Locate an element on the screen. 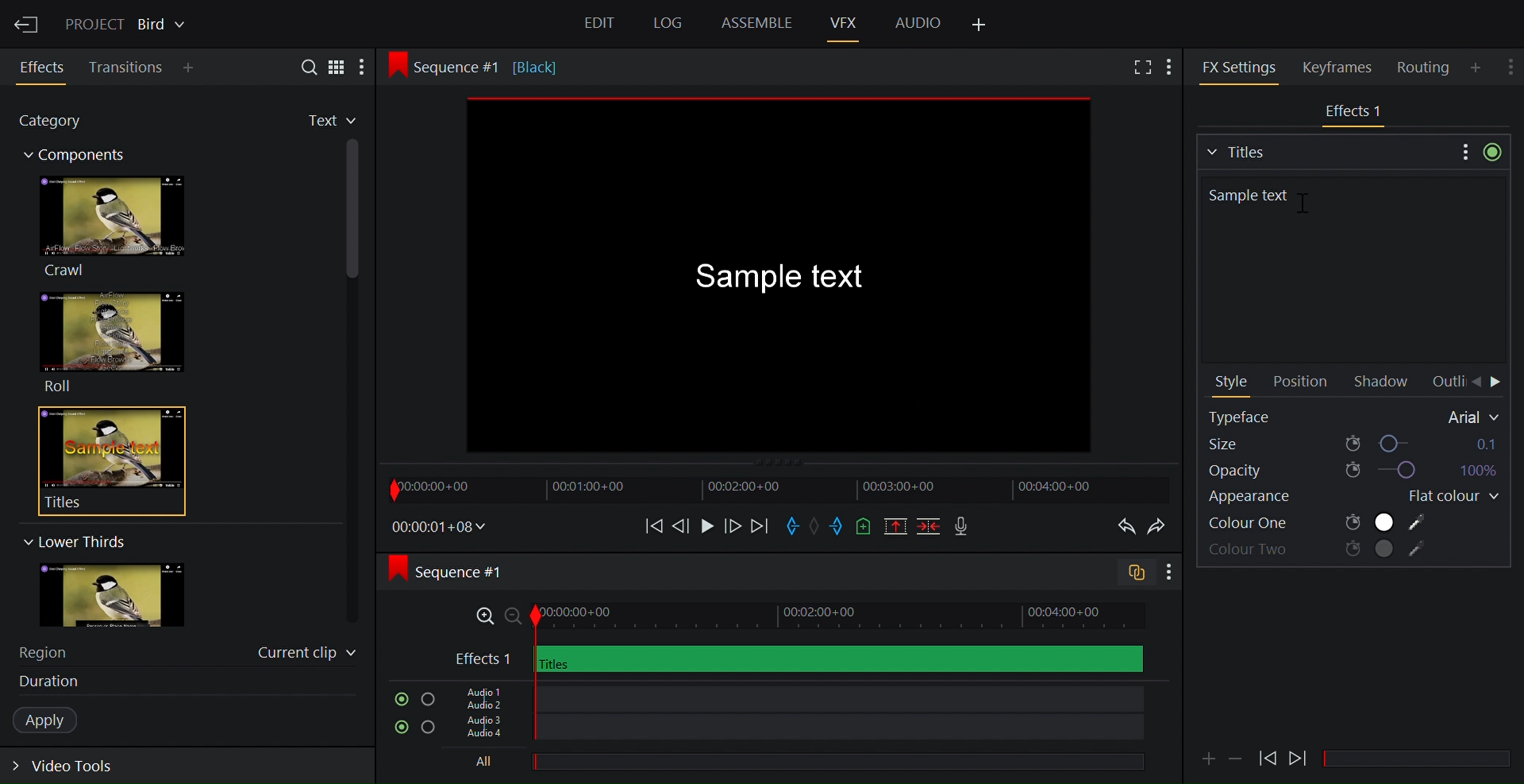 The image size is (1524, 784). Zoom Timeline is located at coordinates (799, 617).